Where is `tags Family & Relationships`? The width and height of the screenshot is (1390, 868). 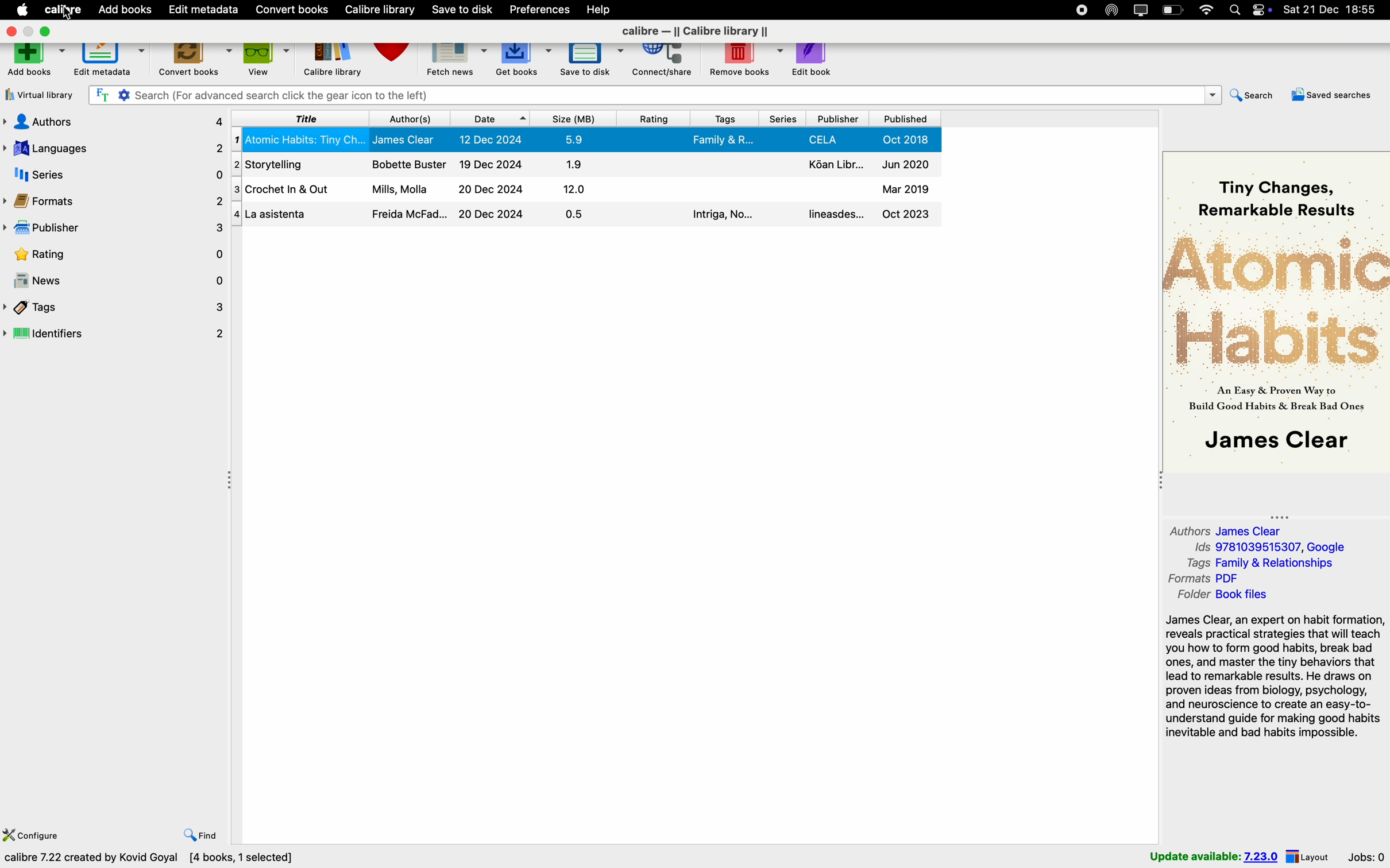
tags Family & Relationships is located at coordinates (1266, 564).